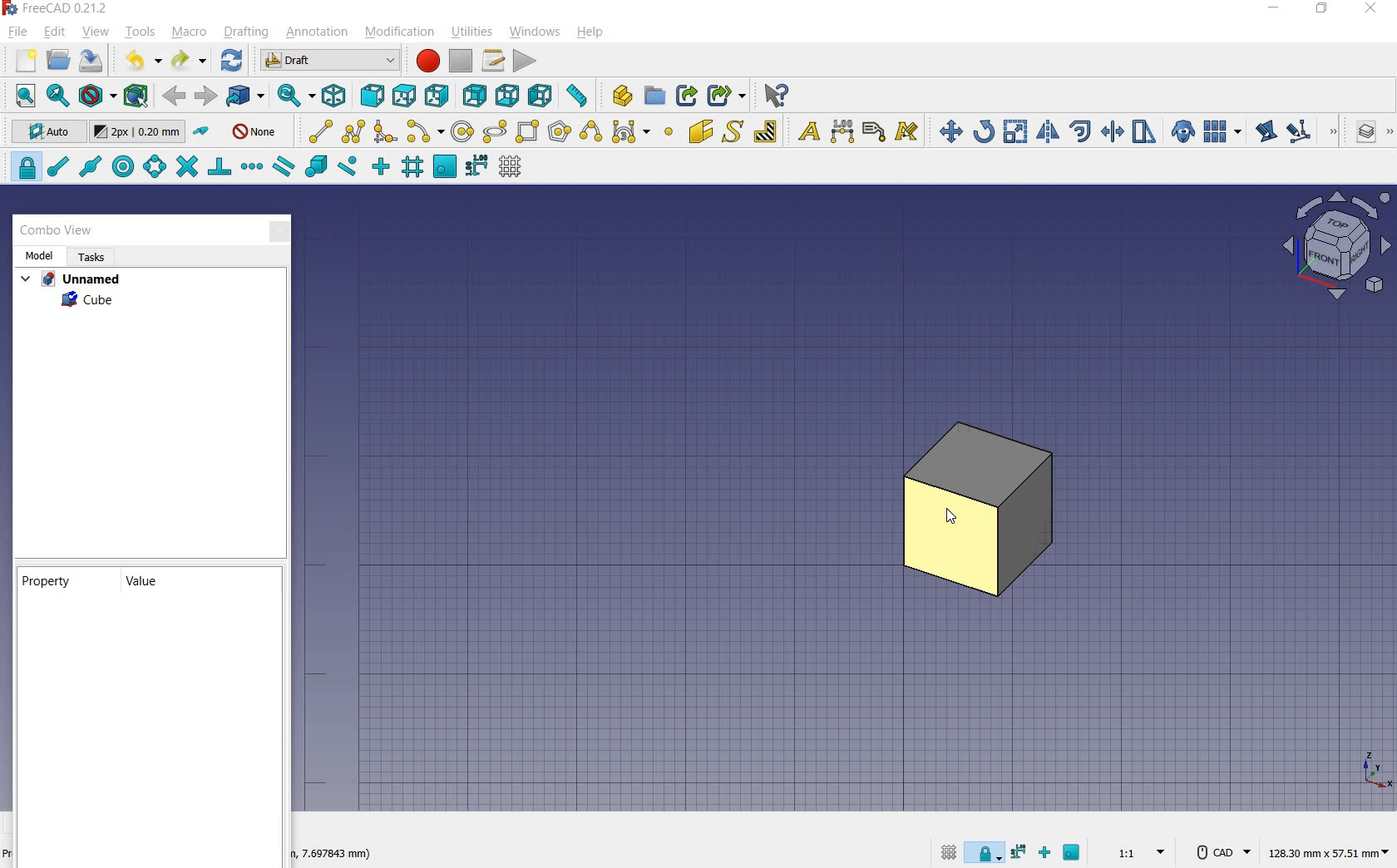 The height and width of the screenshot is (868, 1397). Describe the element at coordinates (38, 255) in the screenshot. I see `model` at that location.